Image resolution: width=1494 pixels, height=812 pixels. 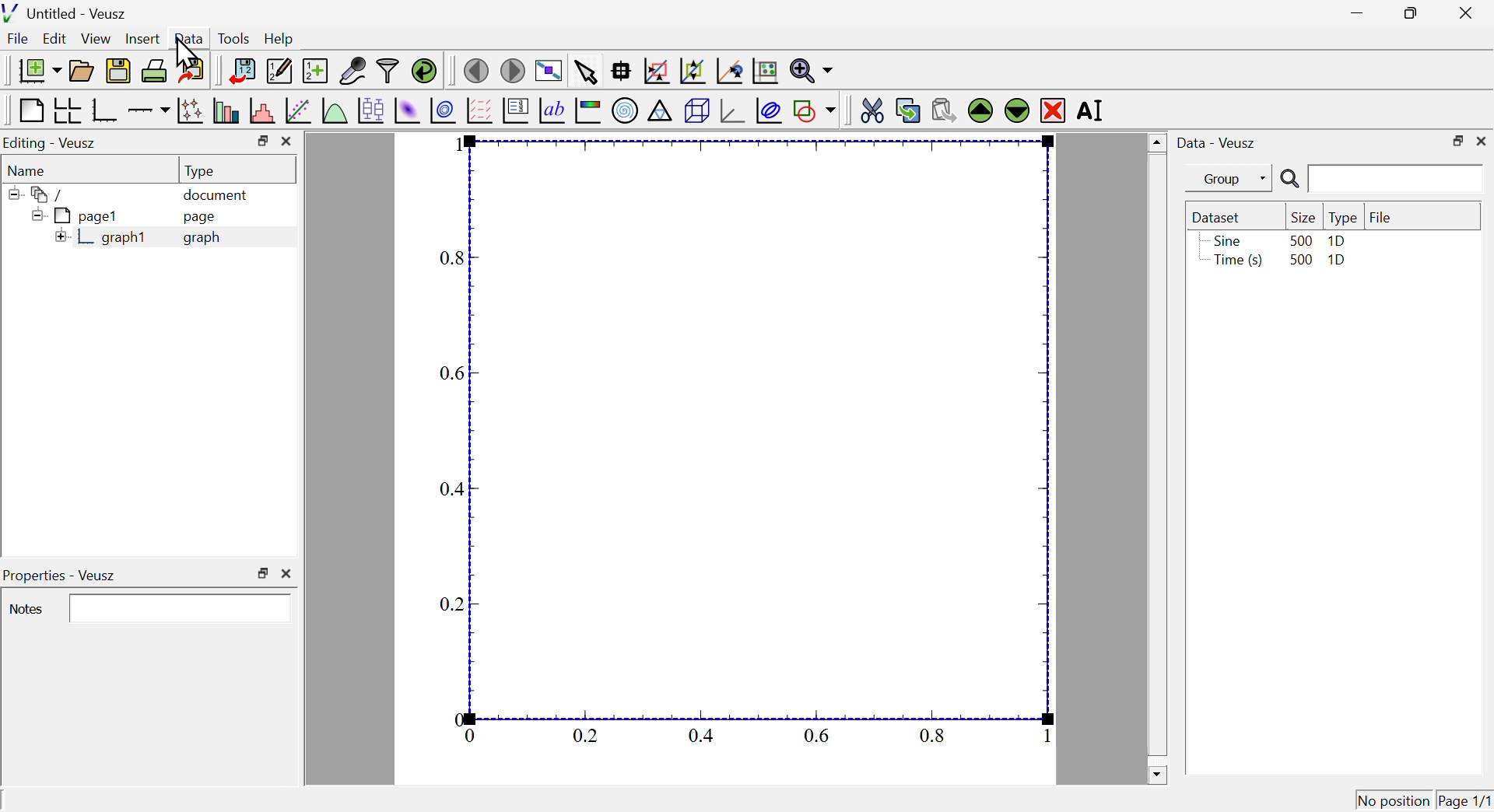 I want to click on scrollbar, so click(x=1156, y=458).